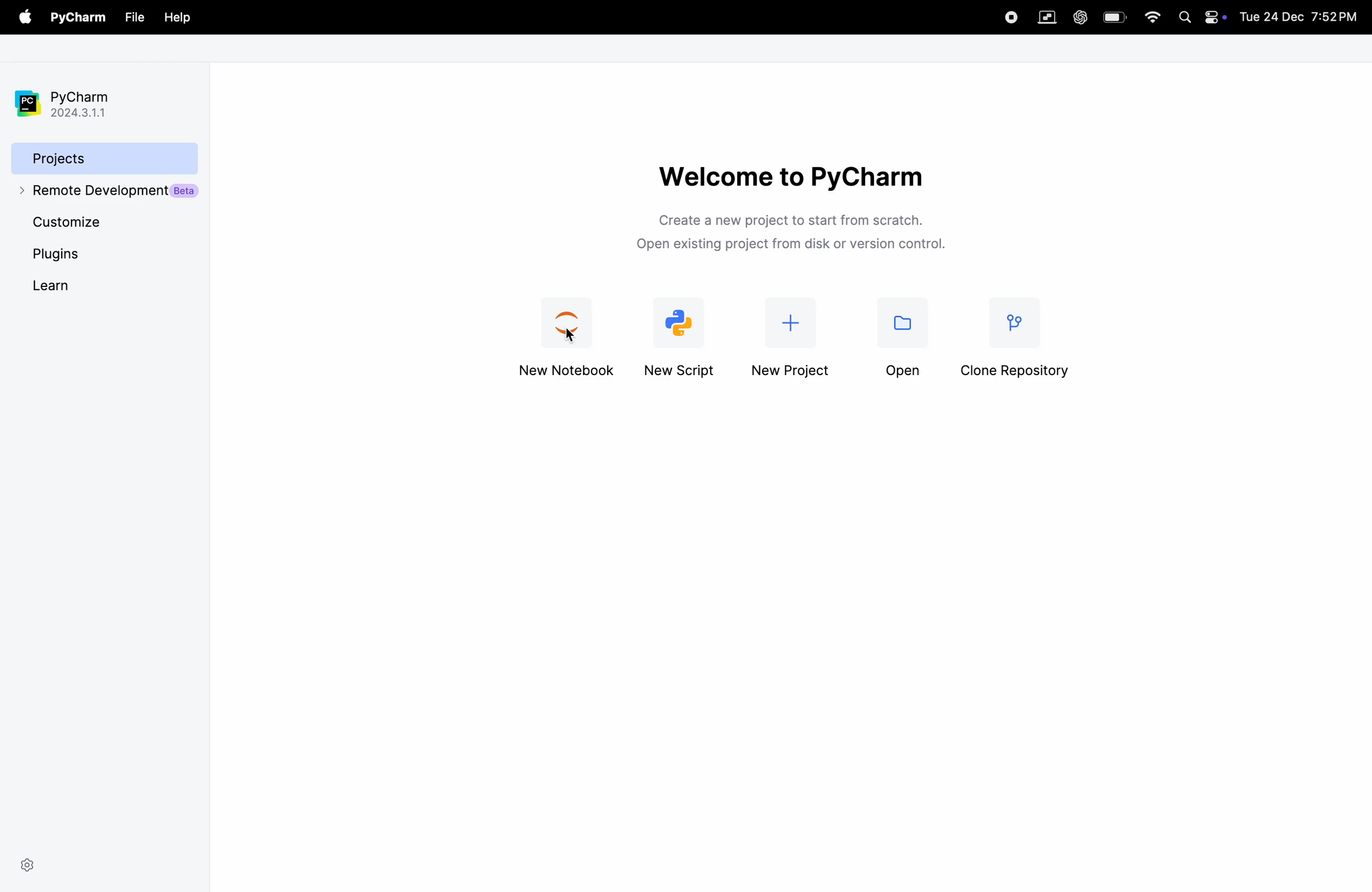 The image size is (1372, 892). I want to click on new script, so click(681, 337).